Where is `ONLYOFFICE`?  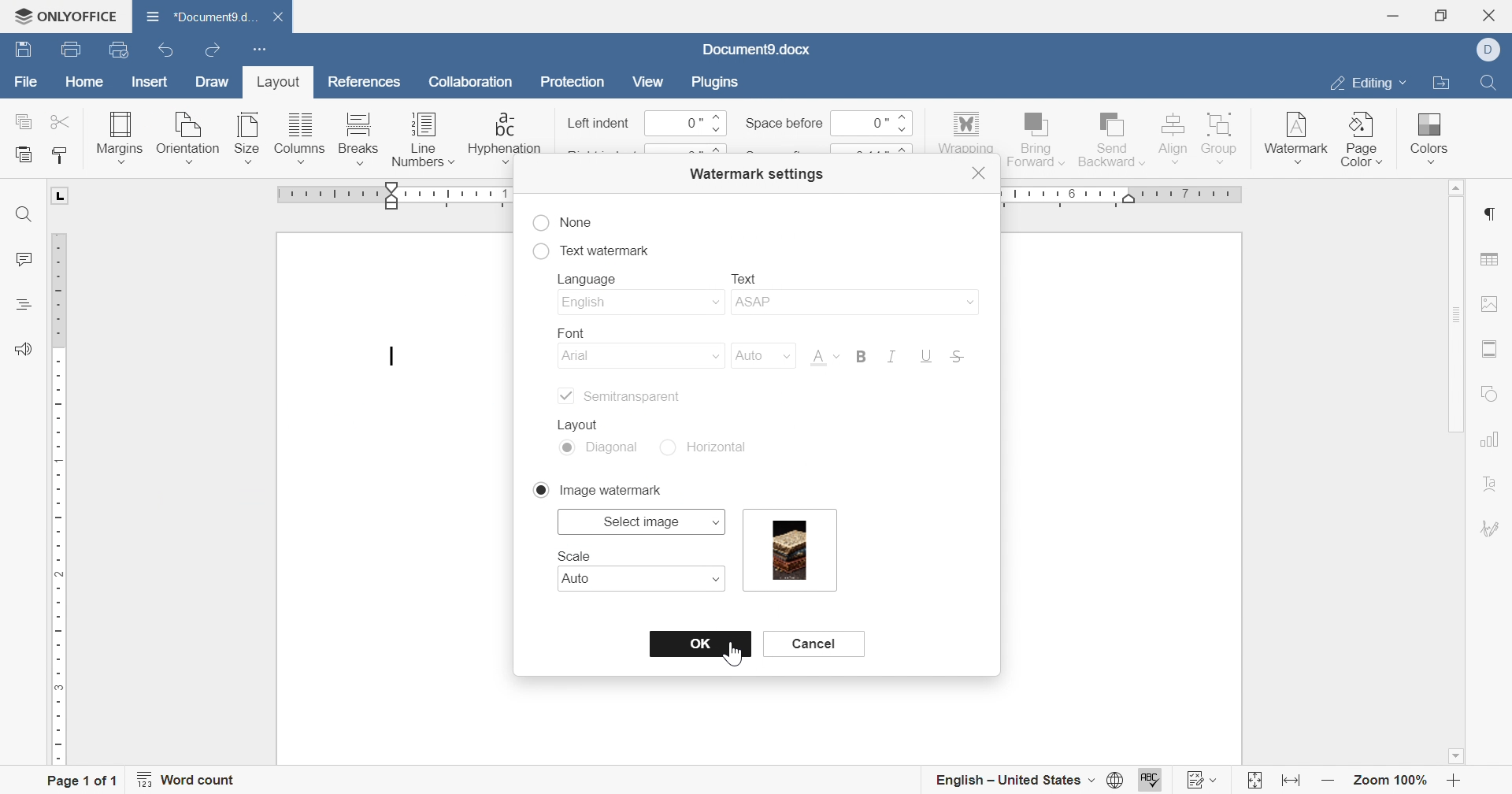
ONLYOFFICE is located at coordinates (65, 13).